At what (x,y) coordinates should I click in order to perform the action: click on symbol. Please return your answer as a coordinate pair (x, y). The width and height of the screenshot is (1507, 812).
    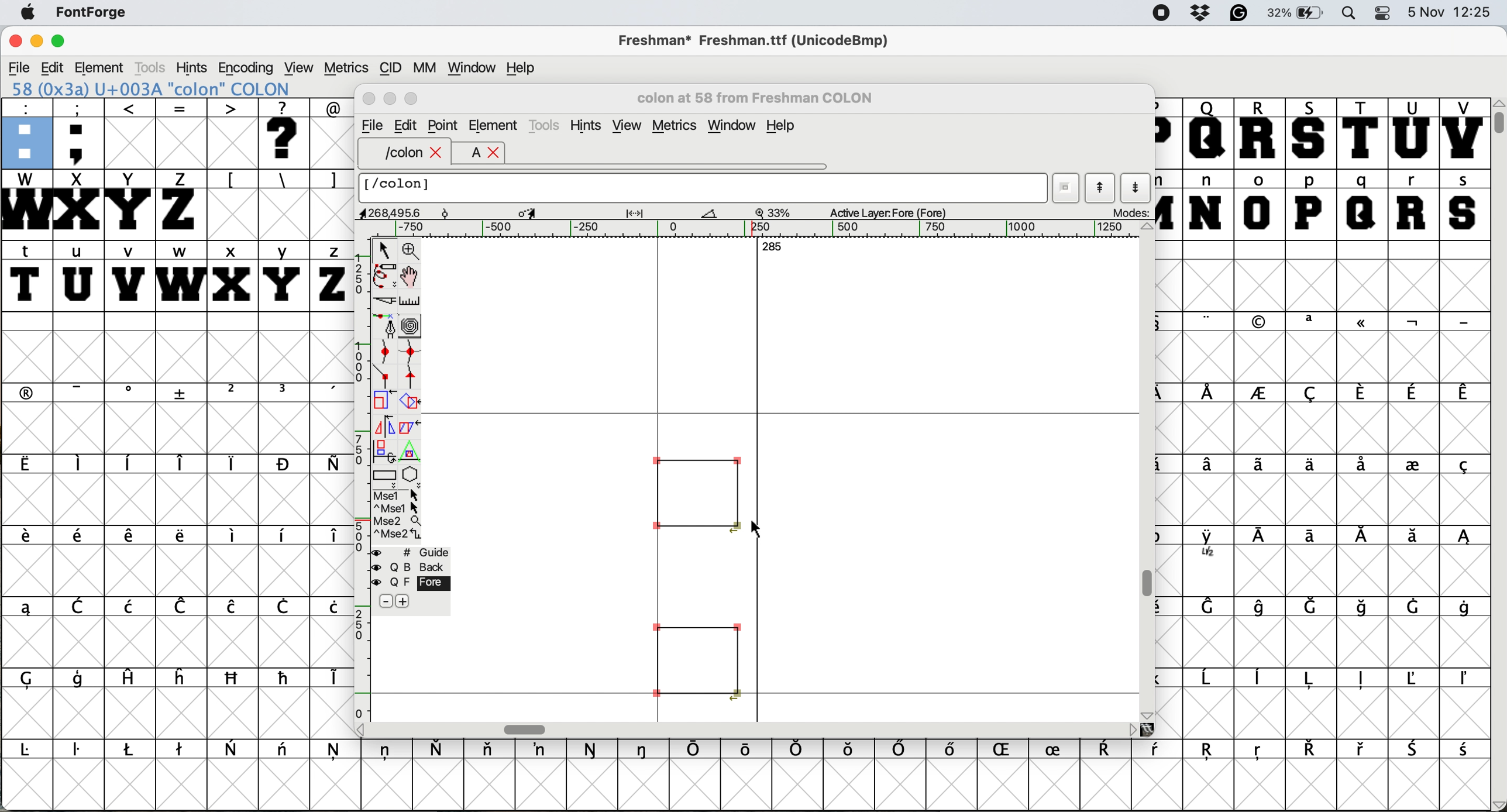
    Looking at the image, I should click on (1264, 607).